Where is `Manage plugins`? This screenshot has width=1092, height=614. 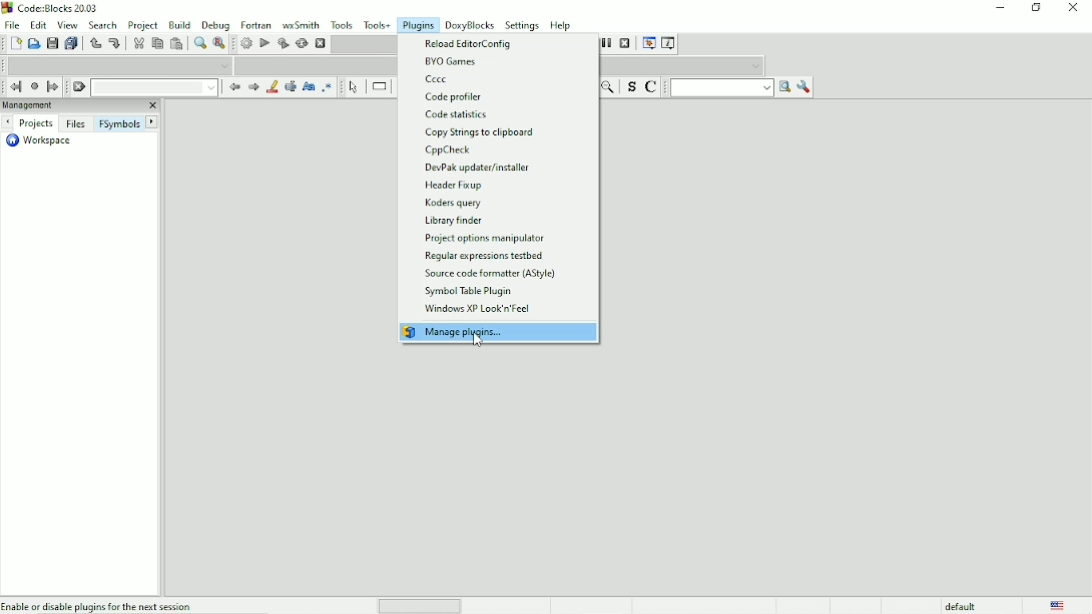 Manage plugins is located at coordinates (497, 335).